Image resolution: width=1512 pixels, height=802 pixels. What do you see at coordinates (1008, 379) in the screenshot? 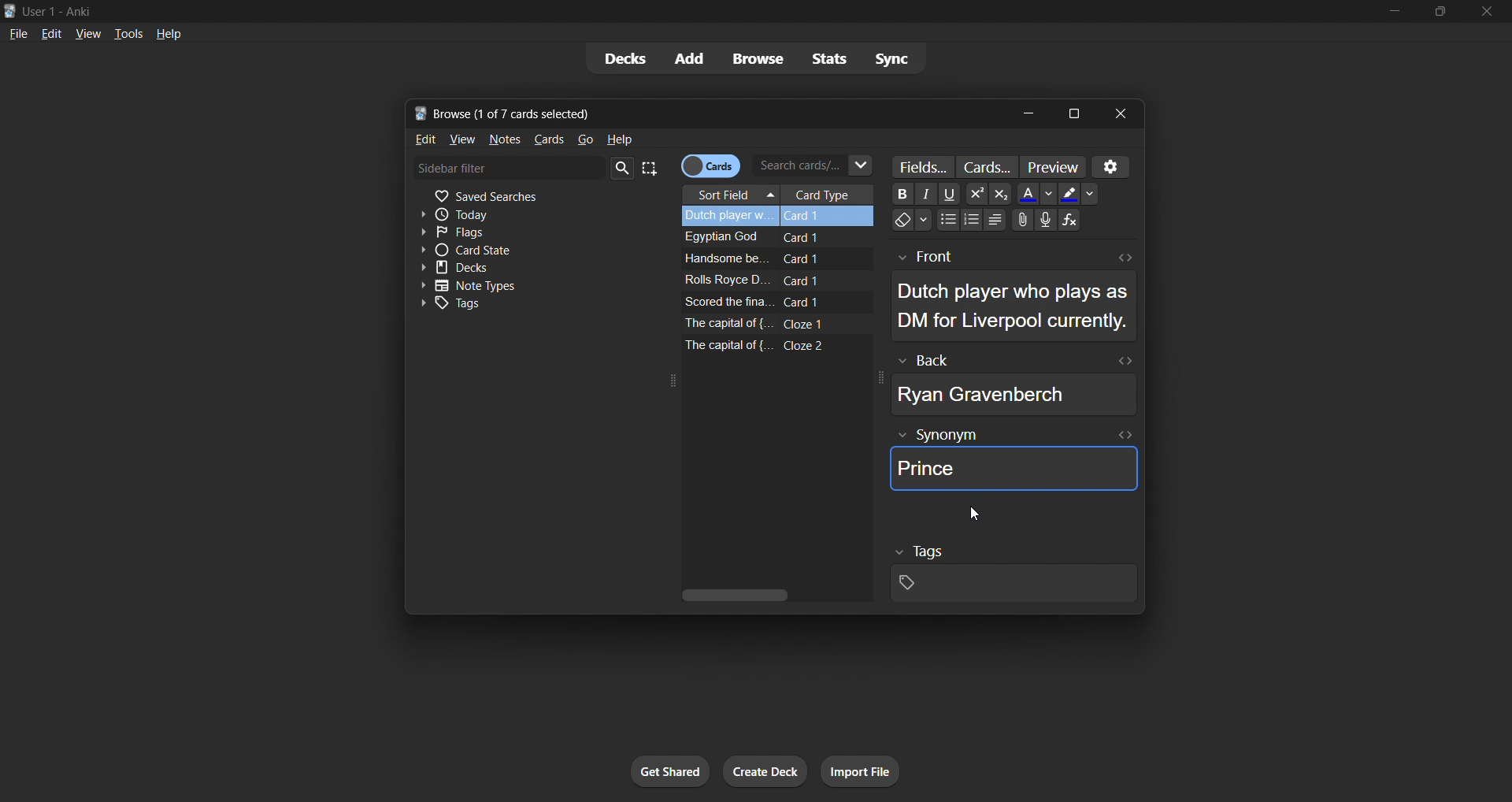
I see `selected card back data` at bounding box center [1008, 379].